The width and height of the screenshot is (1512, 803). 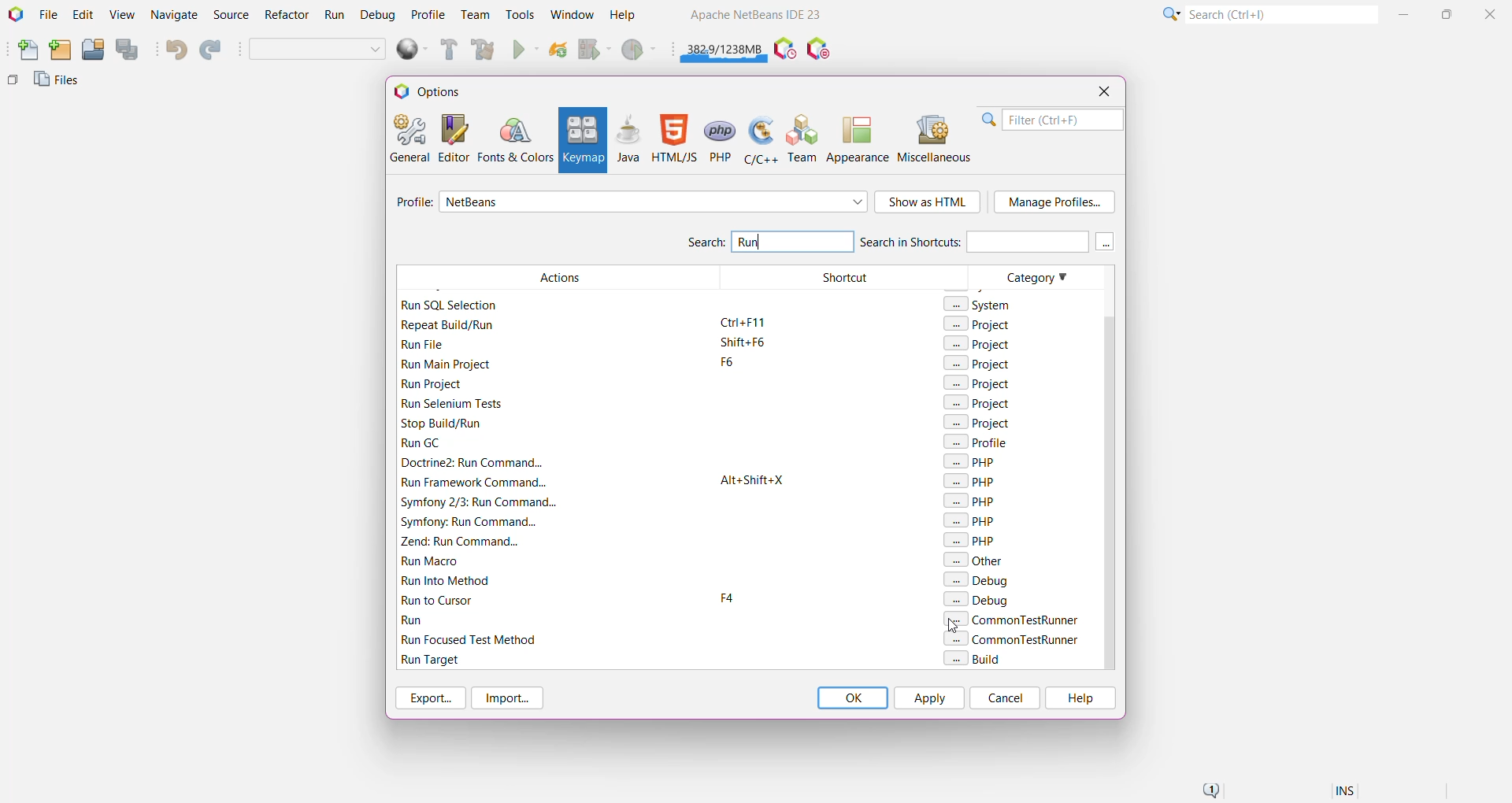 What do you see at coordinates (928, 203) in the screenshot?
I see `Show as HTML` at bounding box center [928, 203].